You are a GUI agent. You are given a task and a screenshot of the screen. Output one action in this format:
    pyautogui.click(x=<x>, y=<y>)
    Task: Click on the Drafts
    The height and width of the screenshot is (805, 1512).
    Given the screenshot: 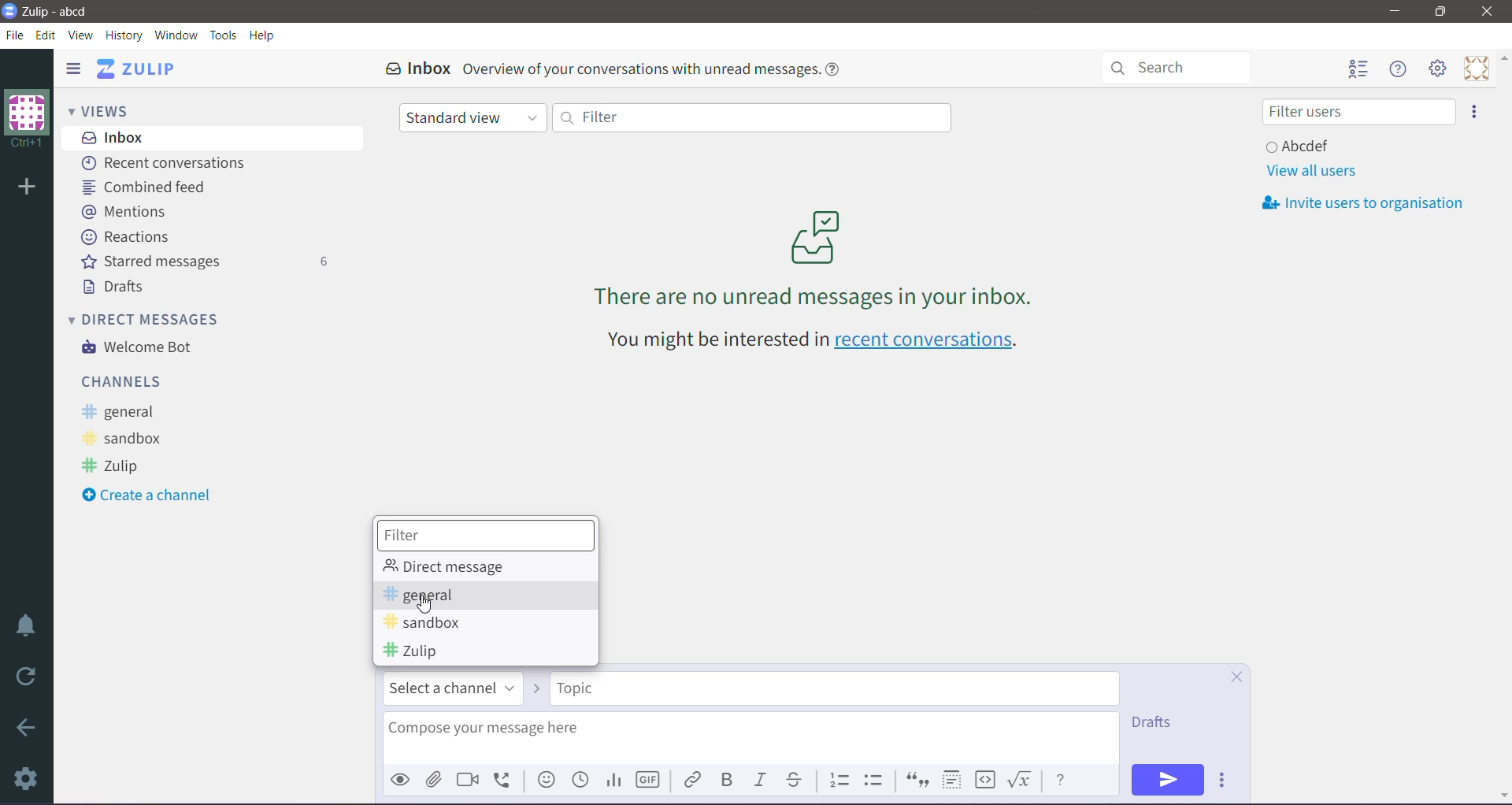 What is the action you would take?
    pyautogui.click(x=1157, y=722)
    